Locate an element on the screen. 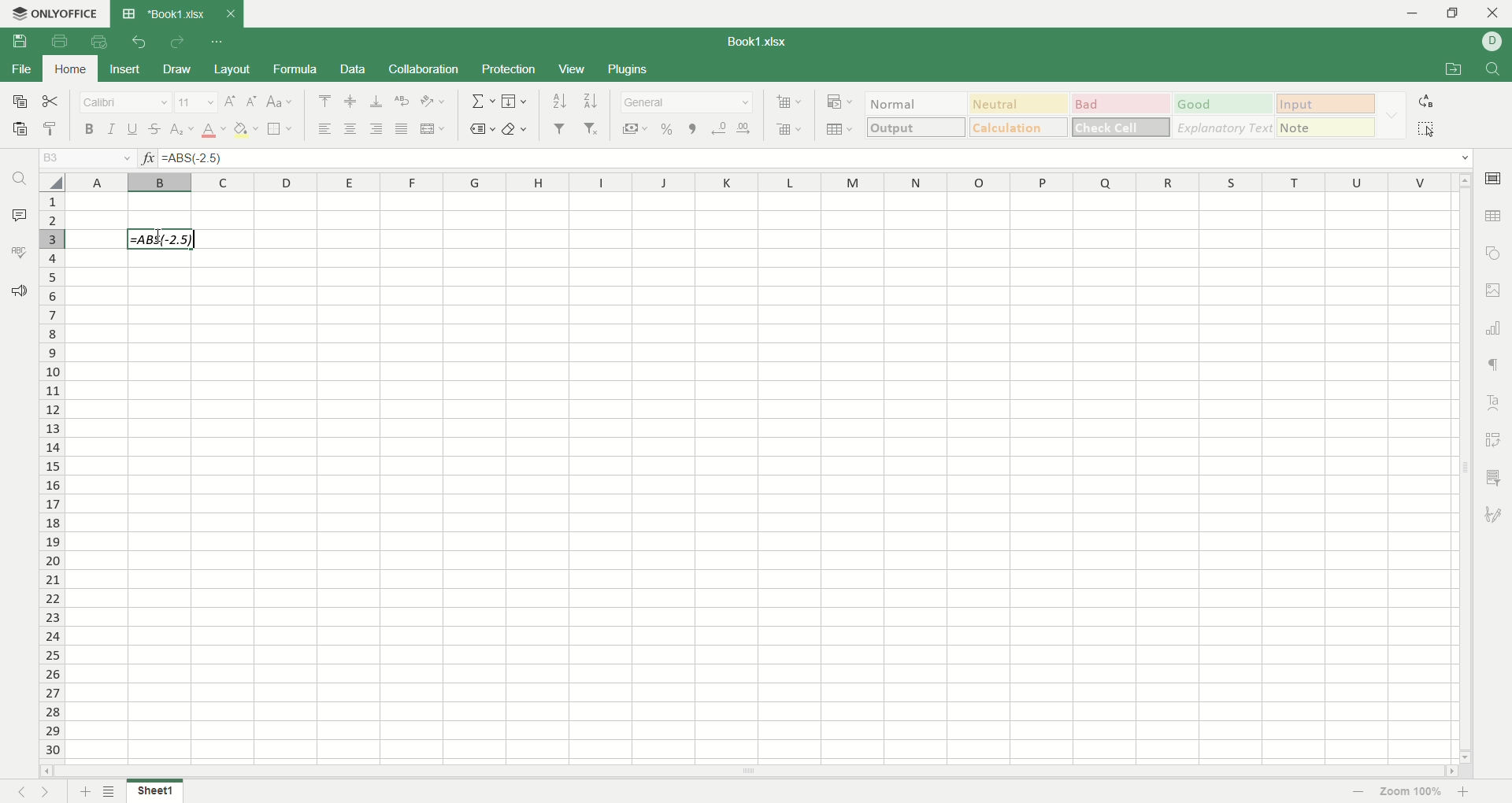  orientation is located at coordinates (435, 101).